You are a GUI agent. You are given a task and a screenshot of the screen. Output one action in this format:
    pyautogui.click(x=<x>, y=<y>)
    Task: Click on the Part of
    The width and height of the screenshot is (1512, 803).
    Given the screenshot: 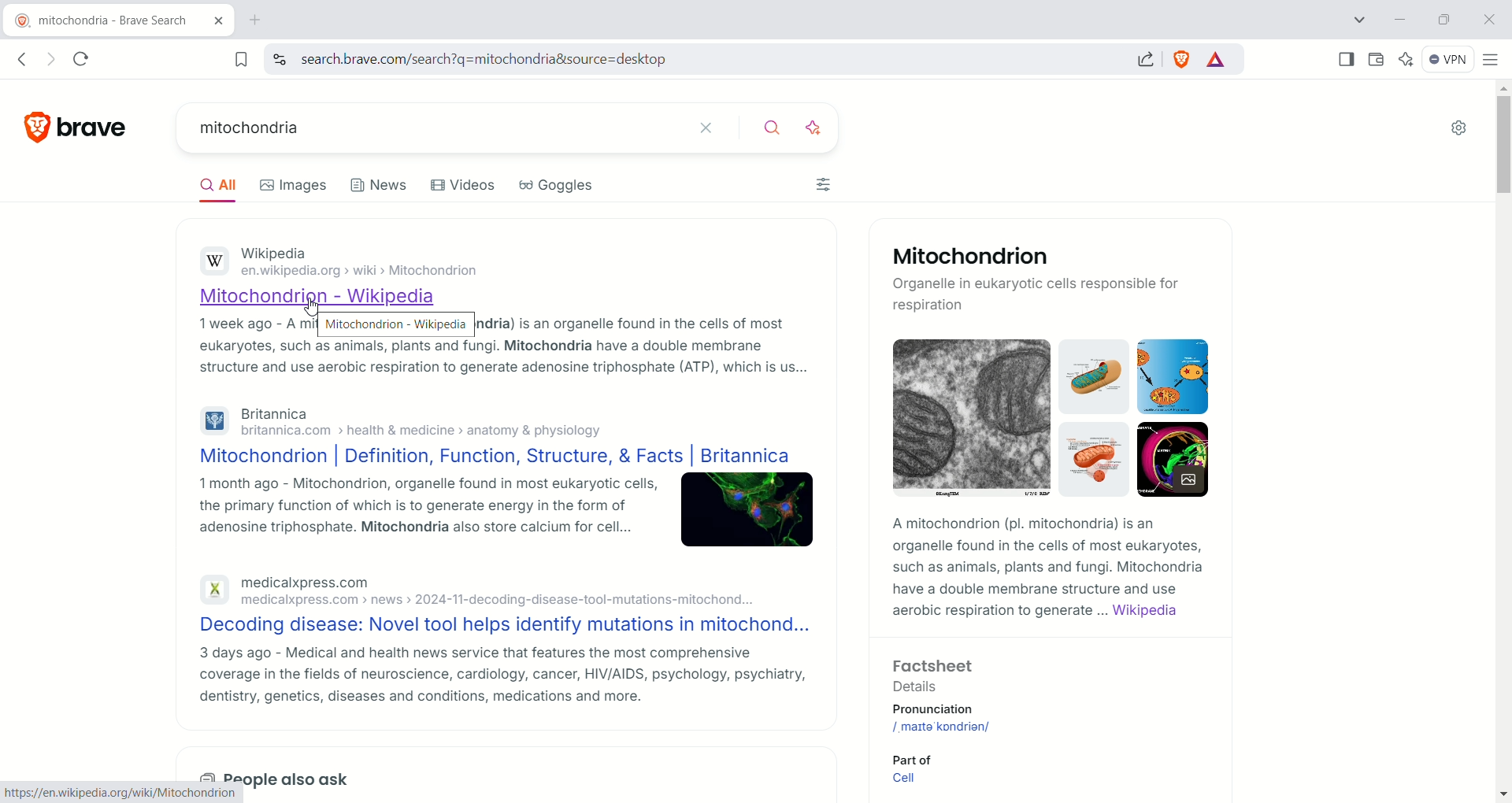 What is the action you would take?
    pyautogui.click(x=913, y=760)
    